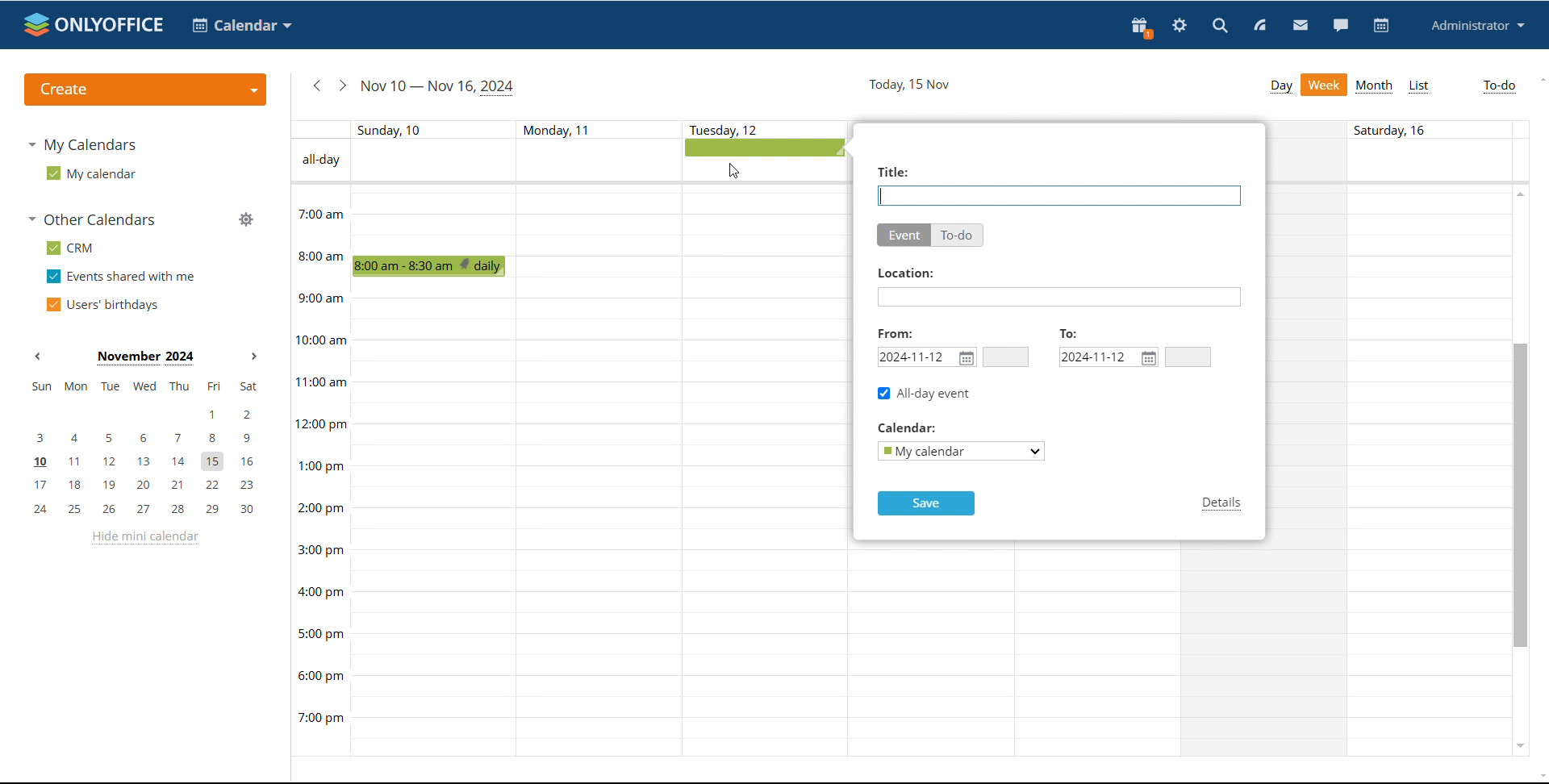 The image size is (1549, 784). I want to click on week view, so click(1323, 85).